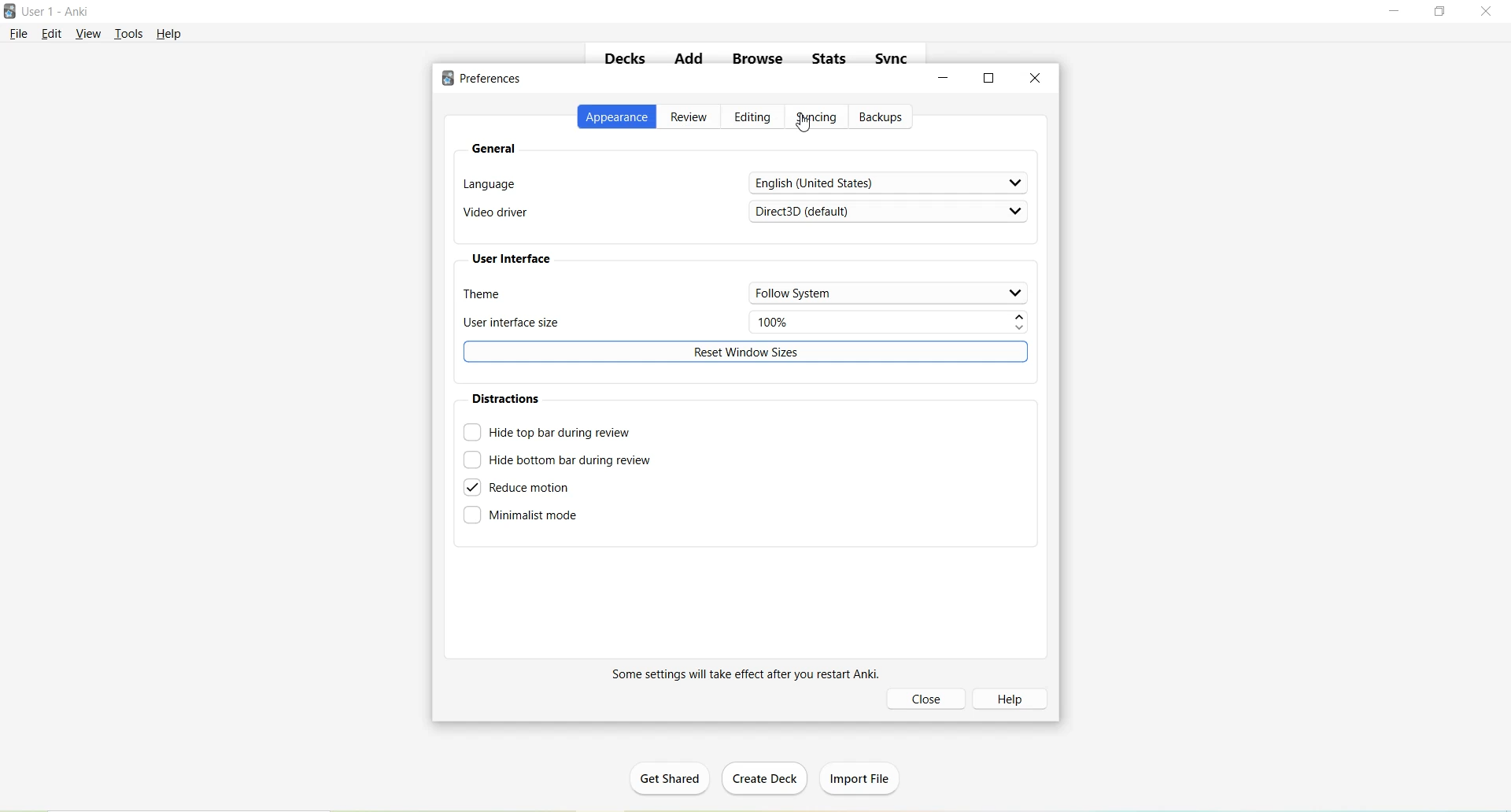 This screenshot has height=812, width=1511. I want to click on Tools, so click(132, 32).